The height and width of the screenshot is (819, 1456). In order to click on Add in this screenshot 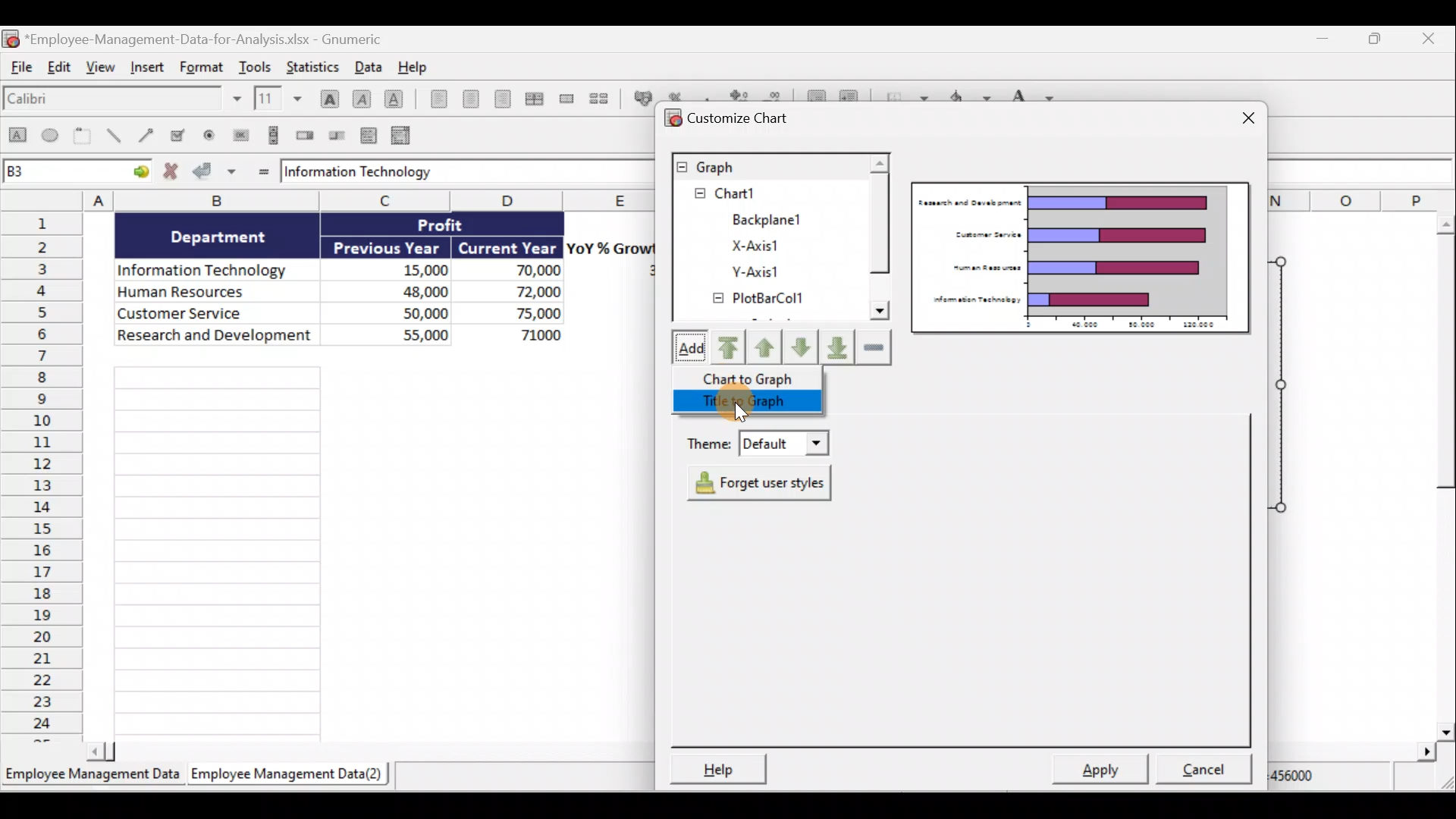, I will do `click(686, 349)`.